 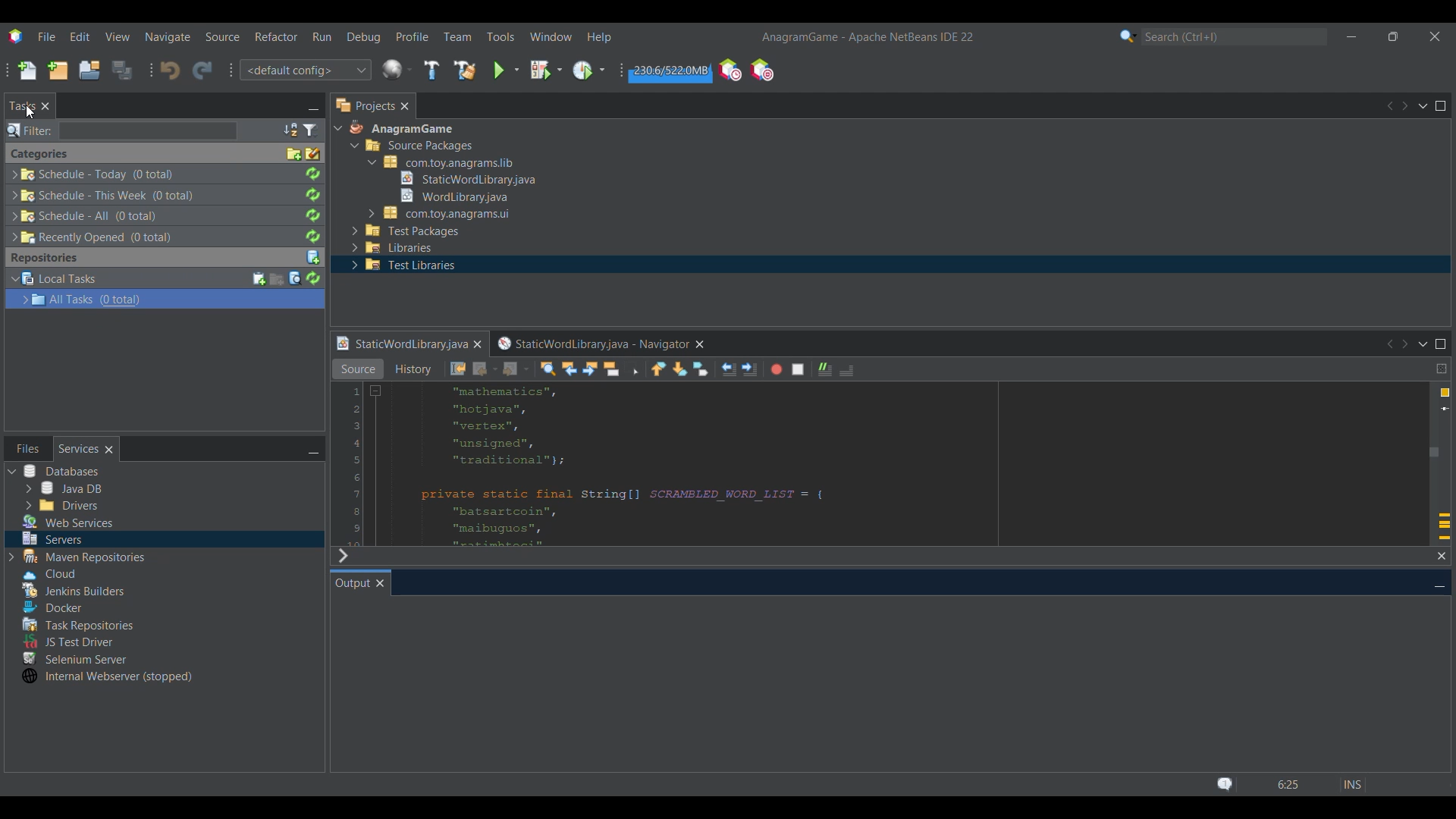 I want to click on Minimize, so click(x=313, y=450).